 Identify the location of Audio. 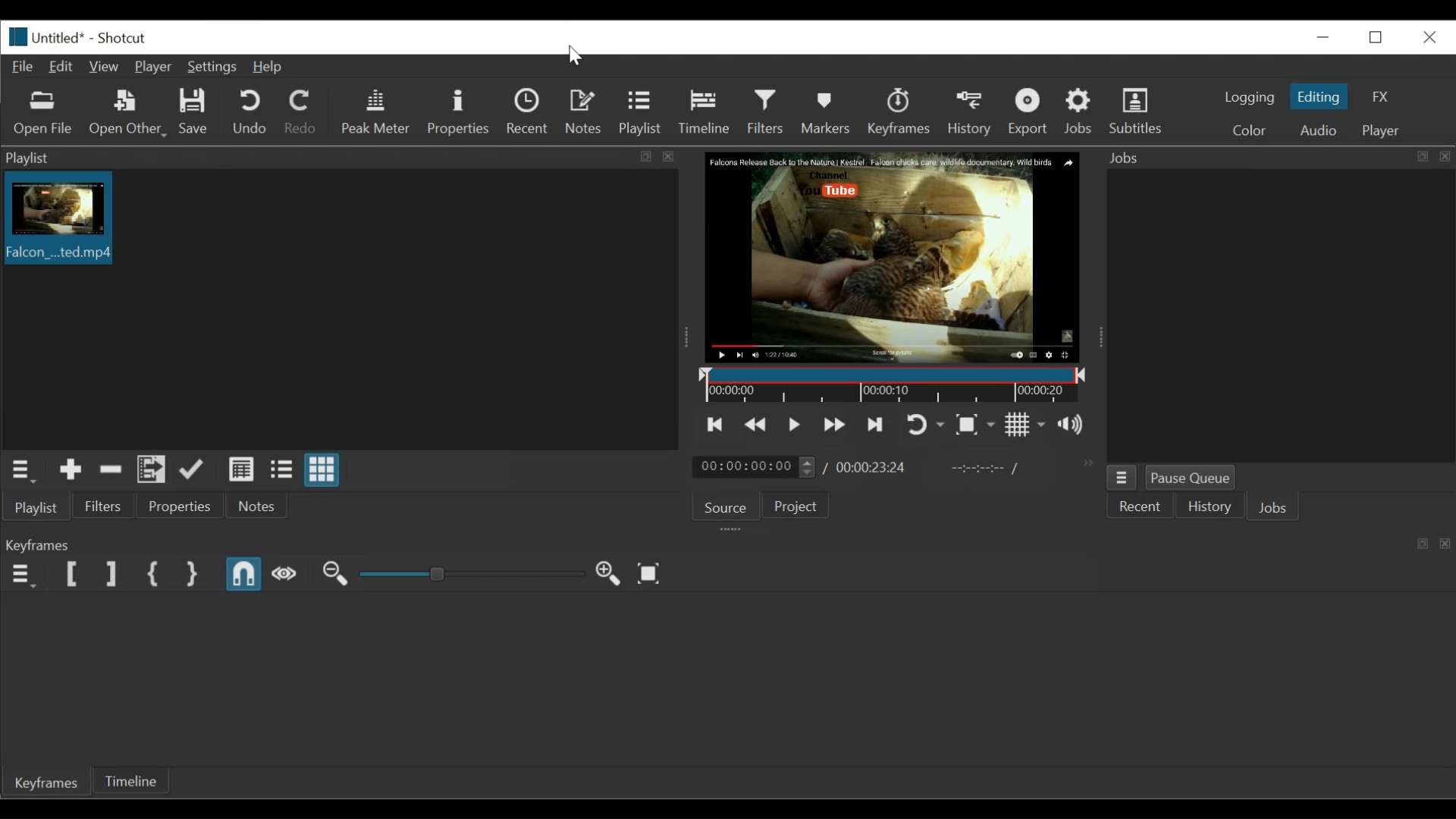
(1316, 129).